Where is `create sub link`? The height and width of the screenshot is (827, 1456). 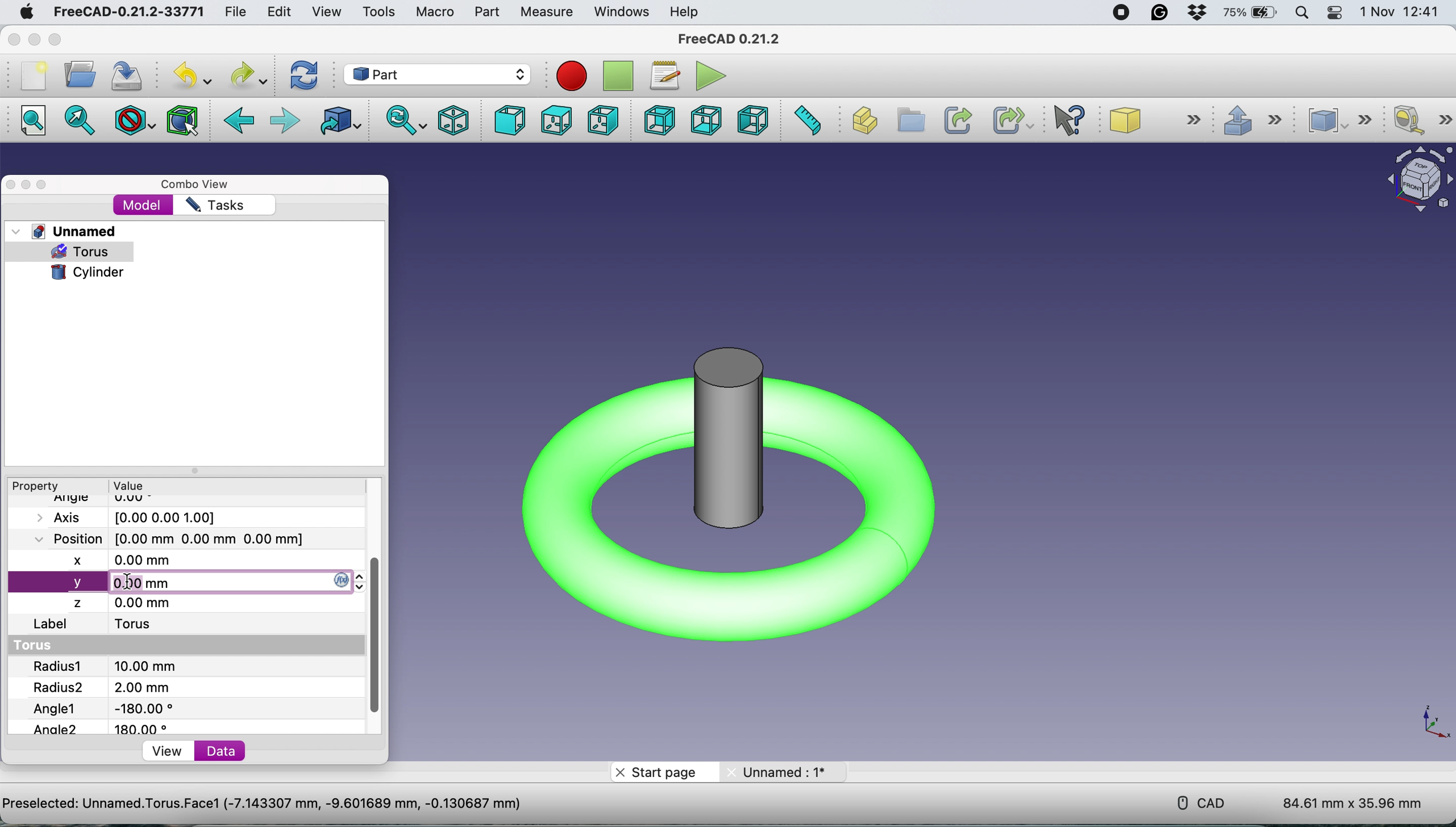 create sub link is located at coordinates (1009, 121).